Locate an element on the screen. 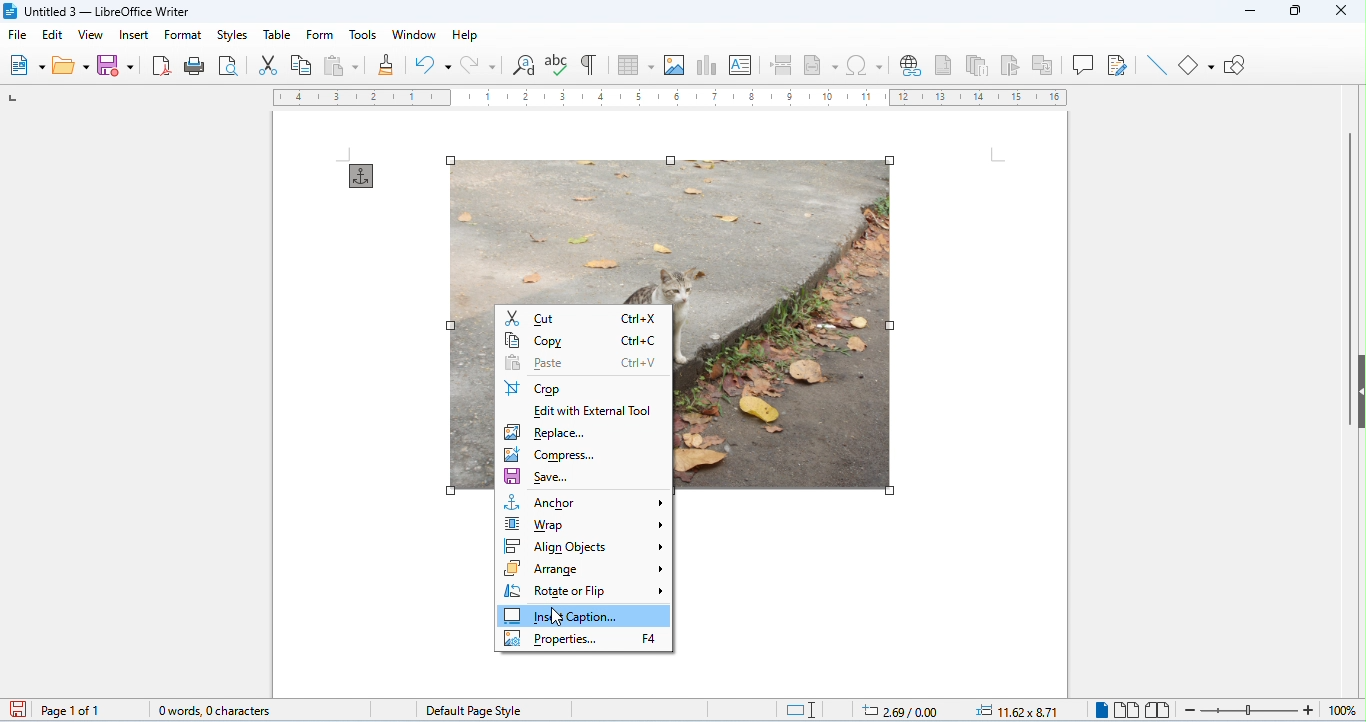 The height and width of the screenshot is (722, 1366). minimize is located at coordinates (1247, 14).